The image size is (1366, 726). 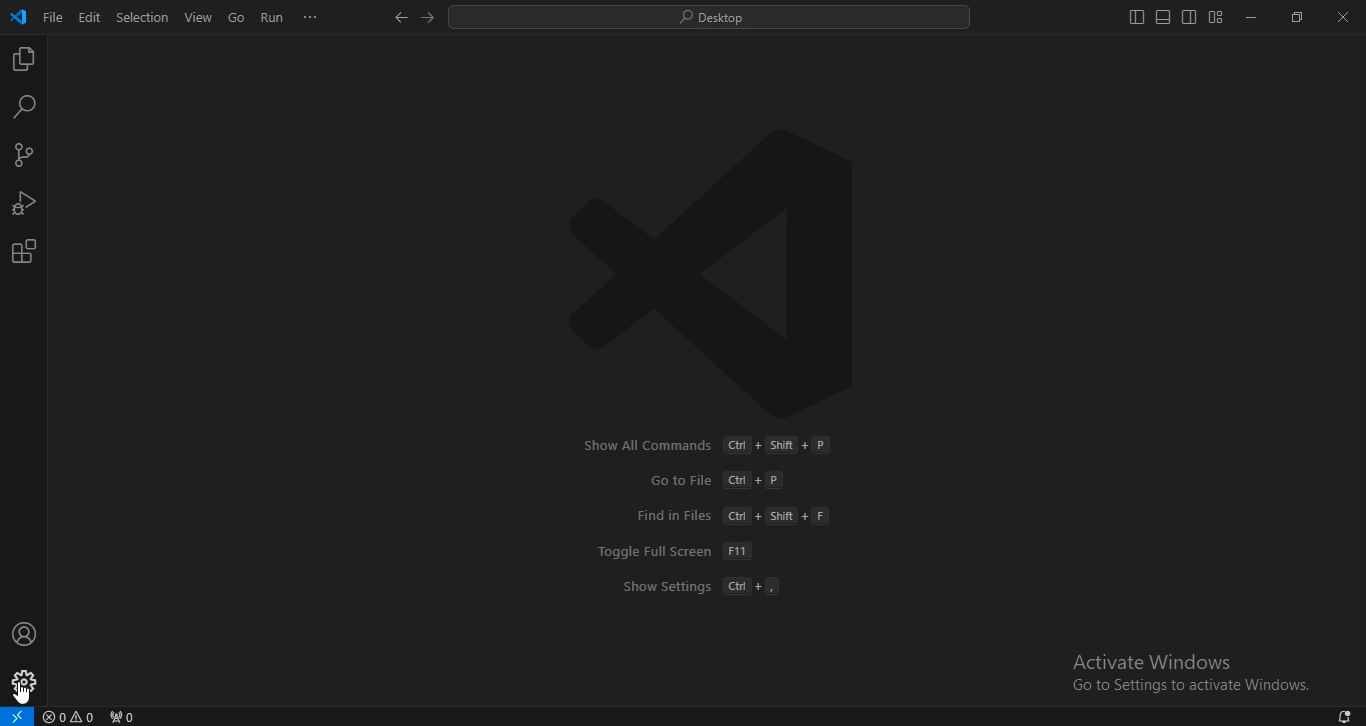 I want to click on run and debug, so click(x=23, y=205).